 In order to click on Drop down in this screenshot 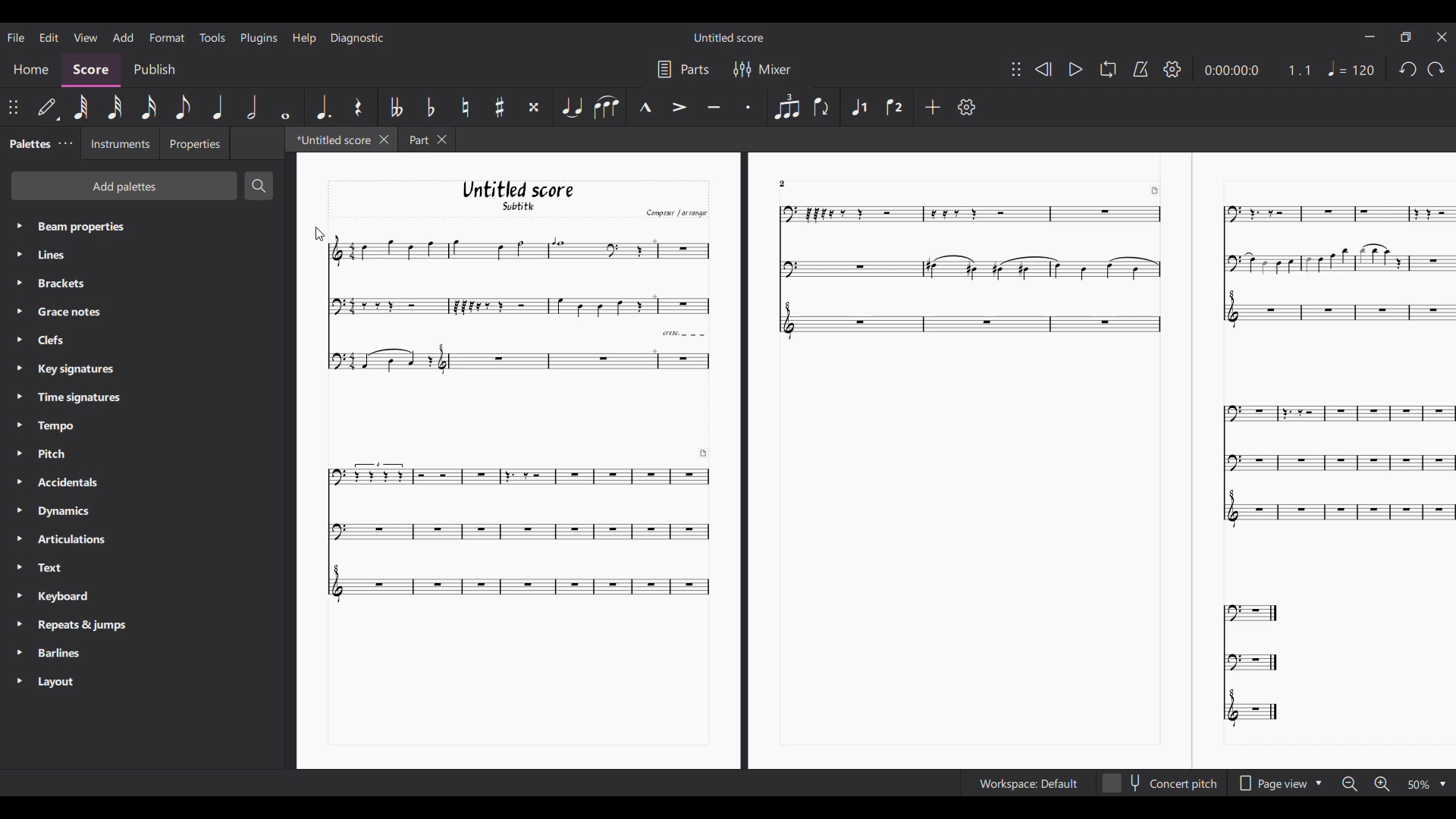, I will do `click(1442, 785)`.